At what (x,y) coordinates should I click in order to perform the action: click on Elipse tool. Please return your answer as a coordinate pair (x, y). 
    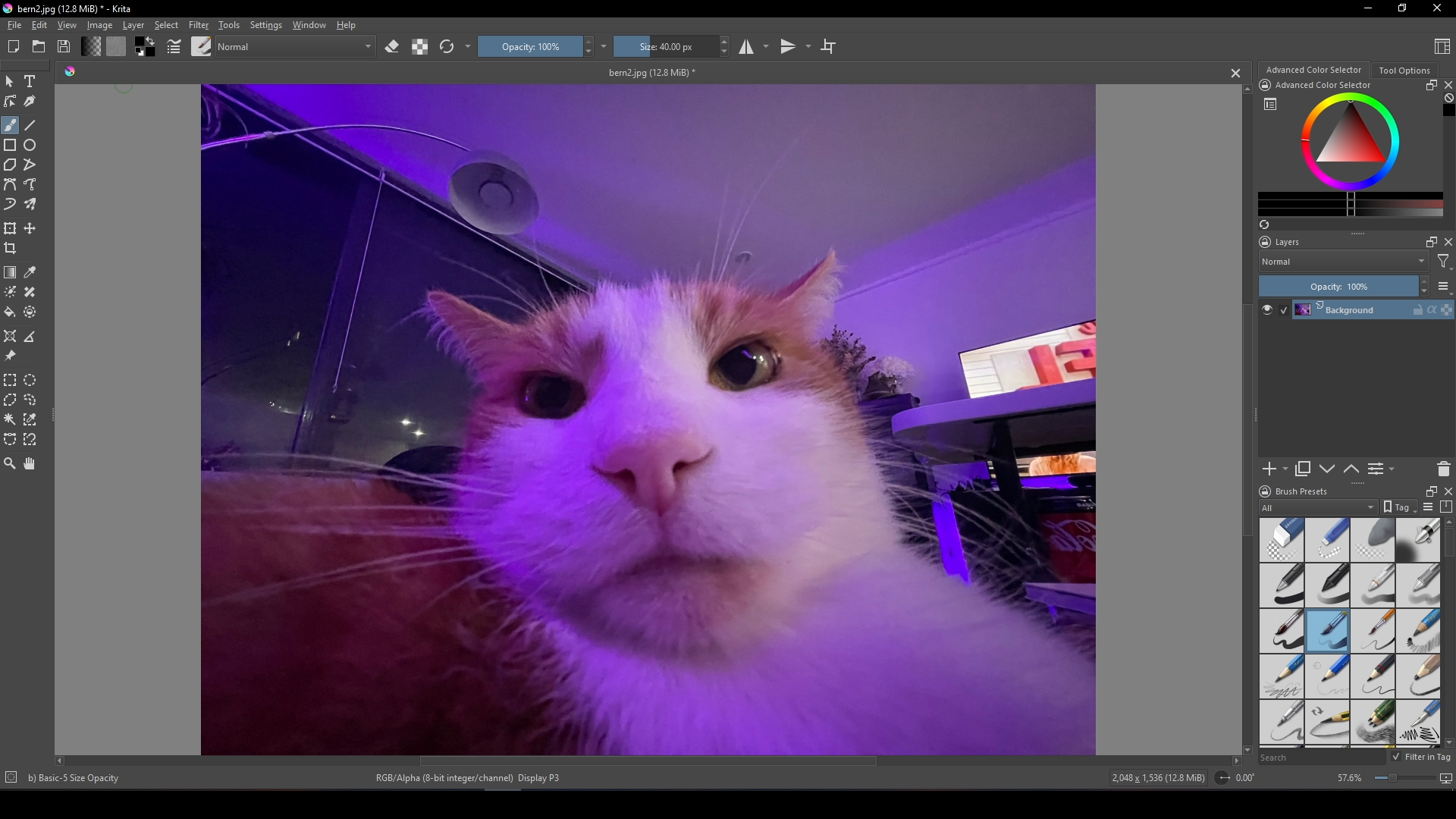
    Looking at the image, I should click on (30, 145).